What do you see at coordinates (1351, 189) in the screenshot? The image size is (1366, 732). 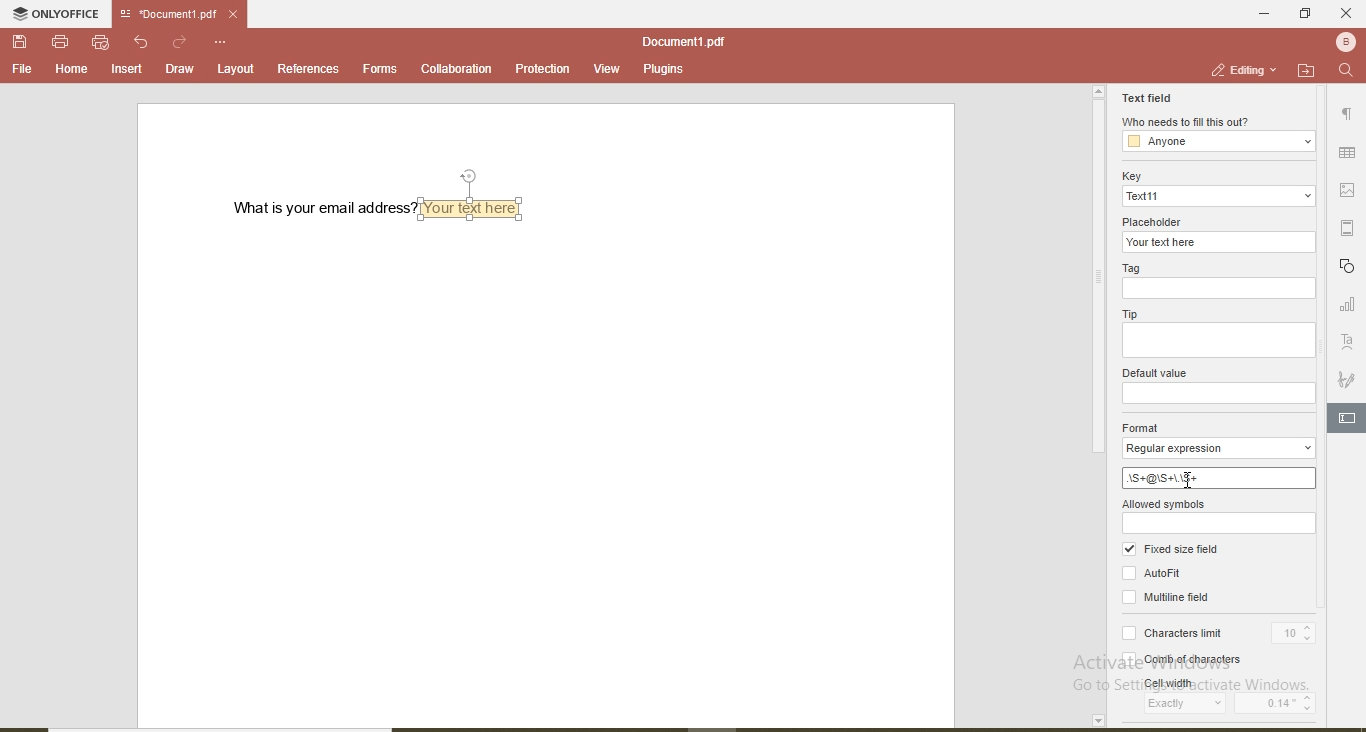 I see `picture` at bounding box center [1351, 189].